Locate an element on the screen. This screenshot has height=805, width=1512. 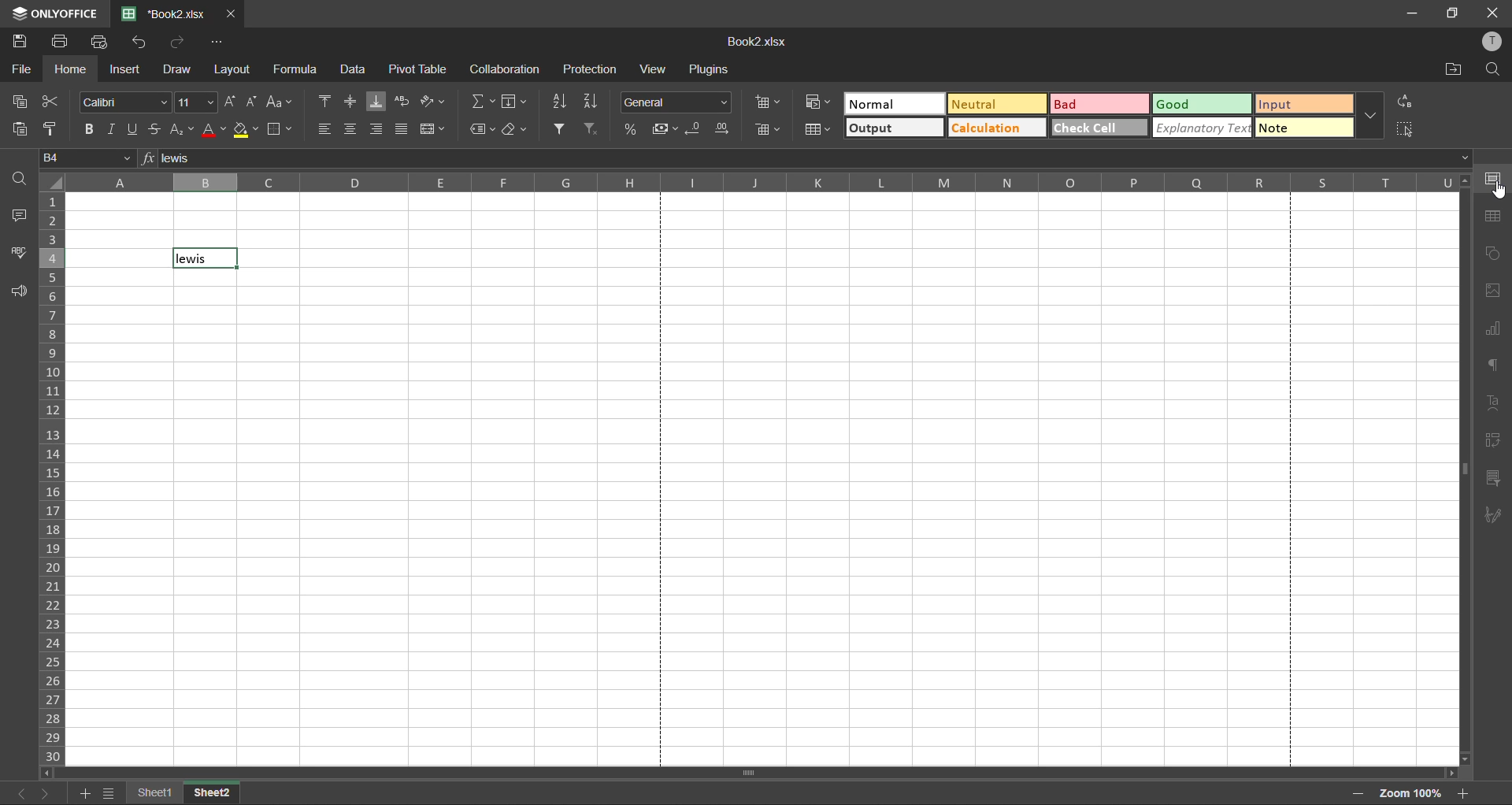
protection is located at coordinates (590, 69).